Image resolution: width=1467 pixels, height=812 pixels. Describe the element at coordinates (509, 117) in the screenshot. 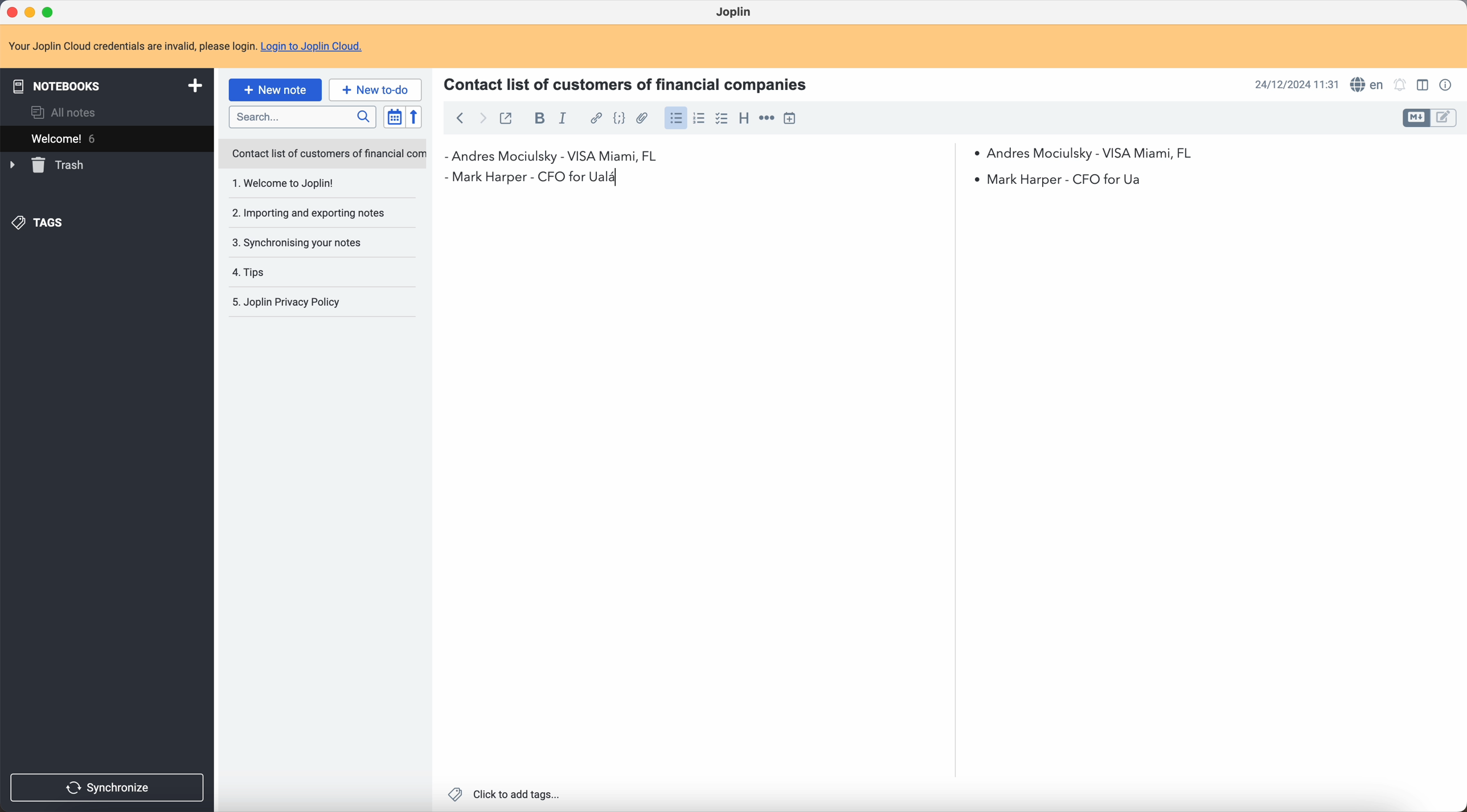

I see `toggle external editing` at that location.